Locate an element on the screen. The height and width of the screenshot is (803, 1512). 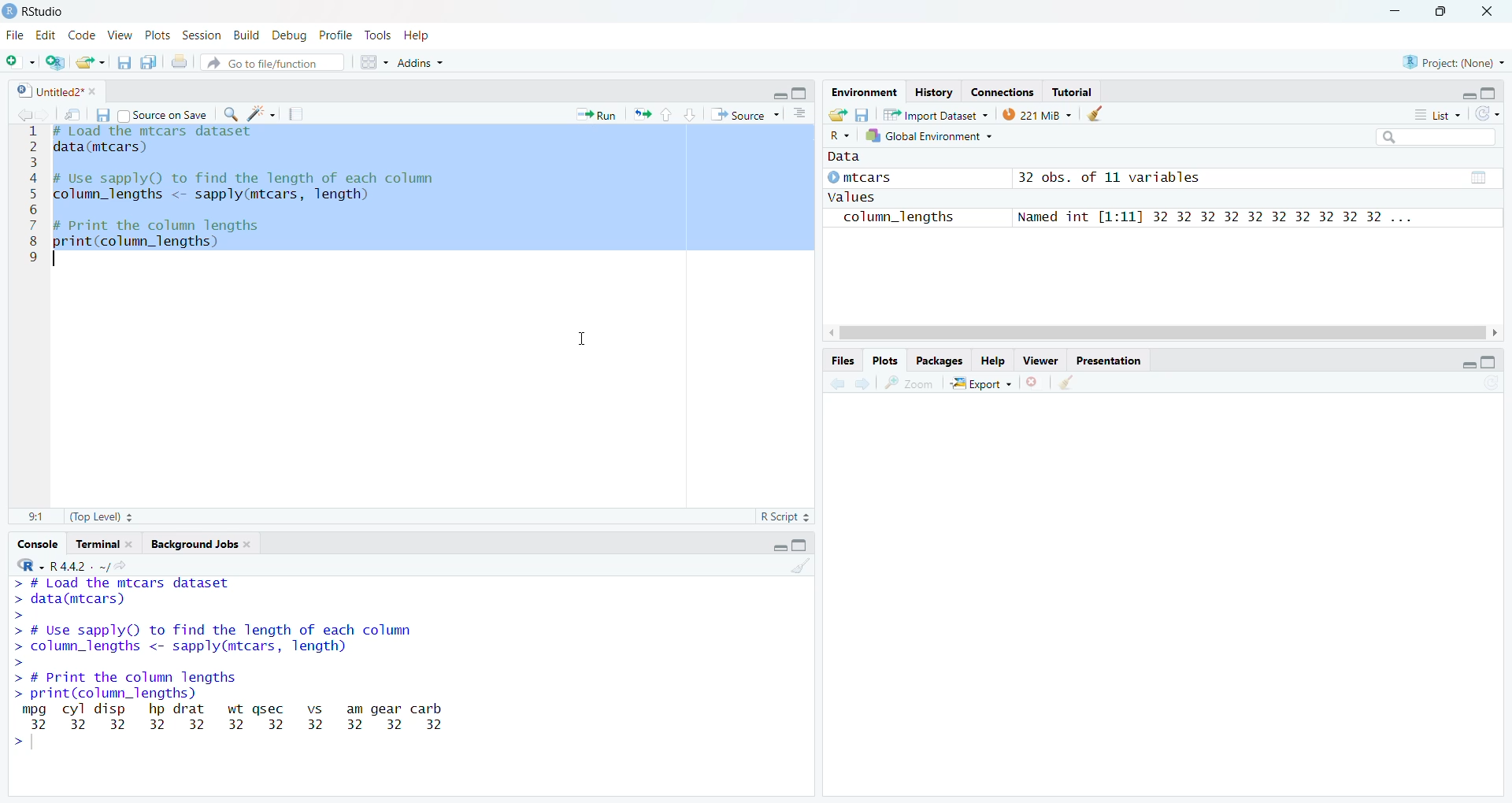
Data is located at coordinates (844, 156).